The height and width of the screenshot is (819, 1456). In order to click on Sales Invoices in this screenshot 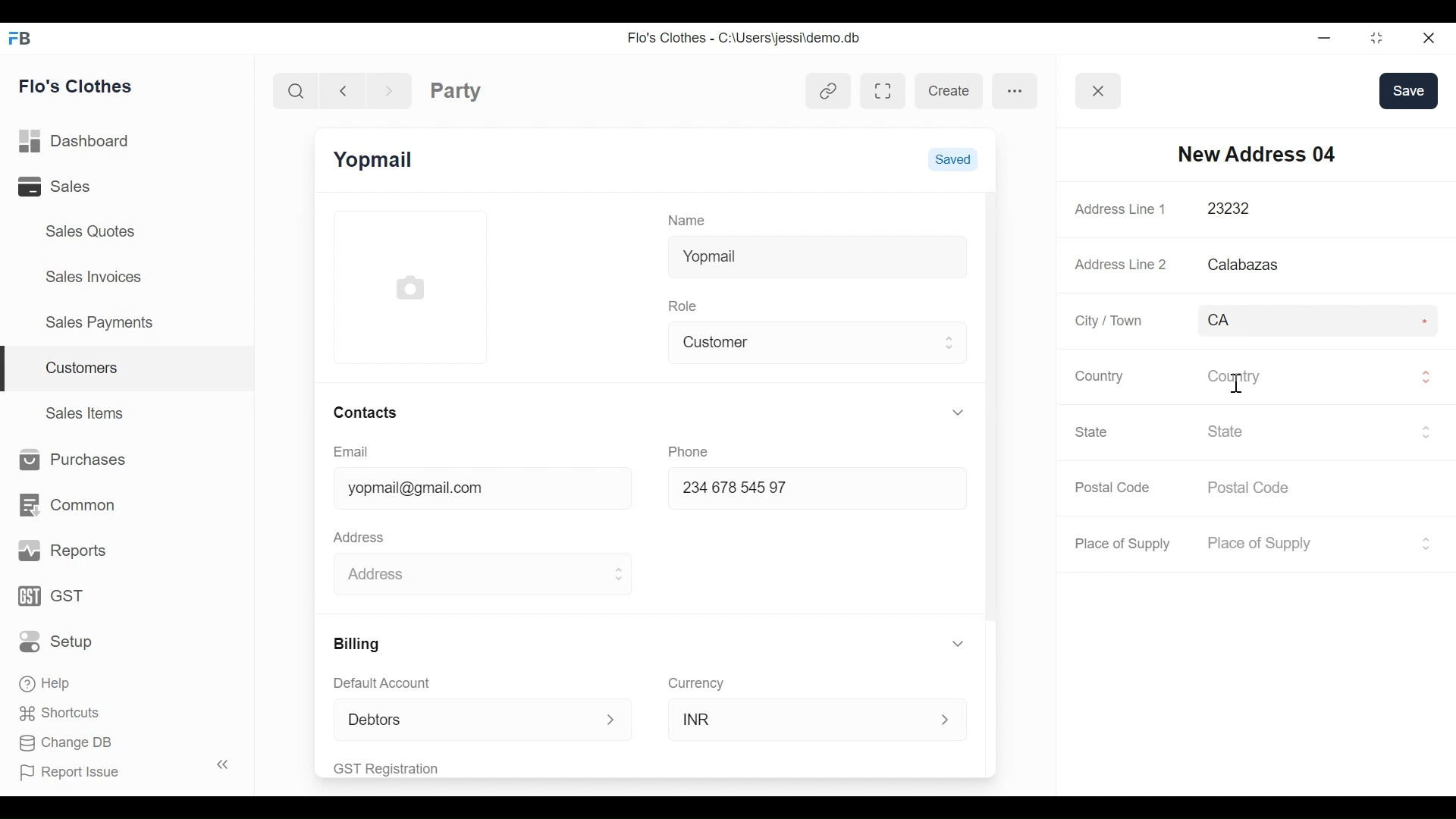, I will do `click(96, 275)`.